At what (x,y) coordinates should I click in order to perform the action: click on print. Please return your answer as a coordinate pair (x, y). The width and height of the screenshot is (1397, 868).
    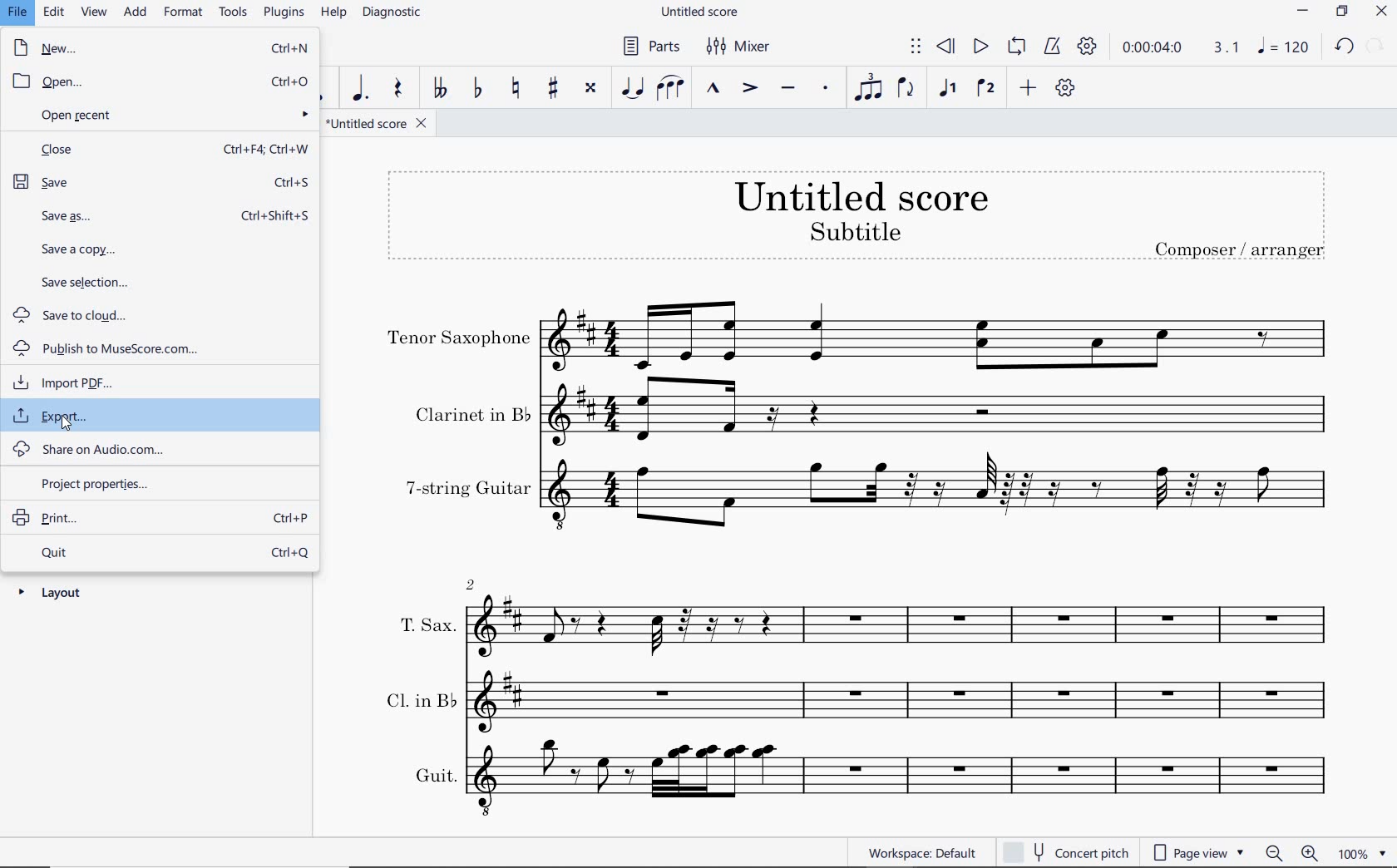
    Looking at the image, I should click on (159, 515).